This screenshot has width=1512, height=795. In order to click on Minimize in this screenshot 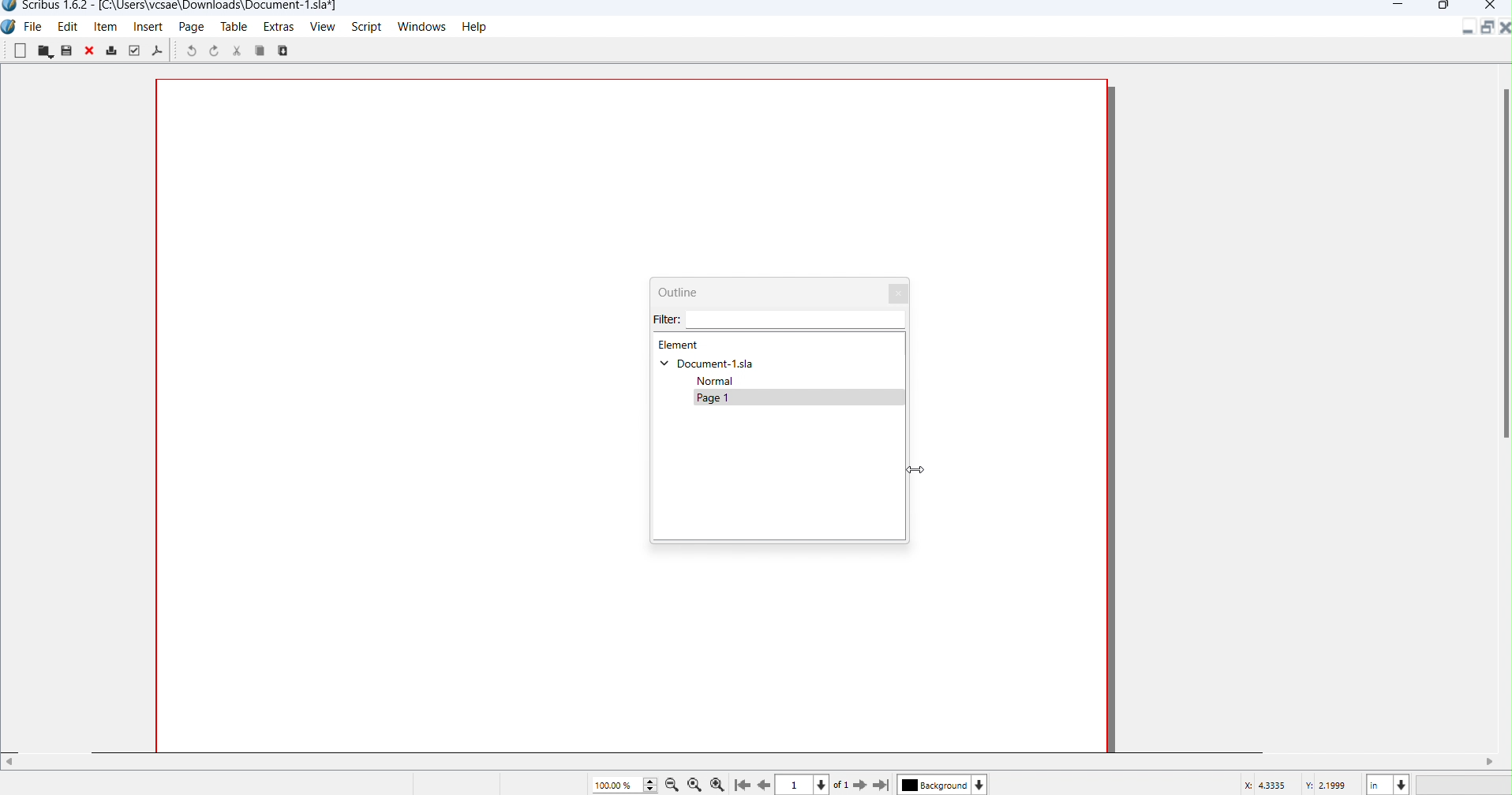, I will do `click(1398, 6)`.